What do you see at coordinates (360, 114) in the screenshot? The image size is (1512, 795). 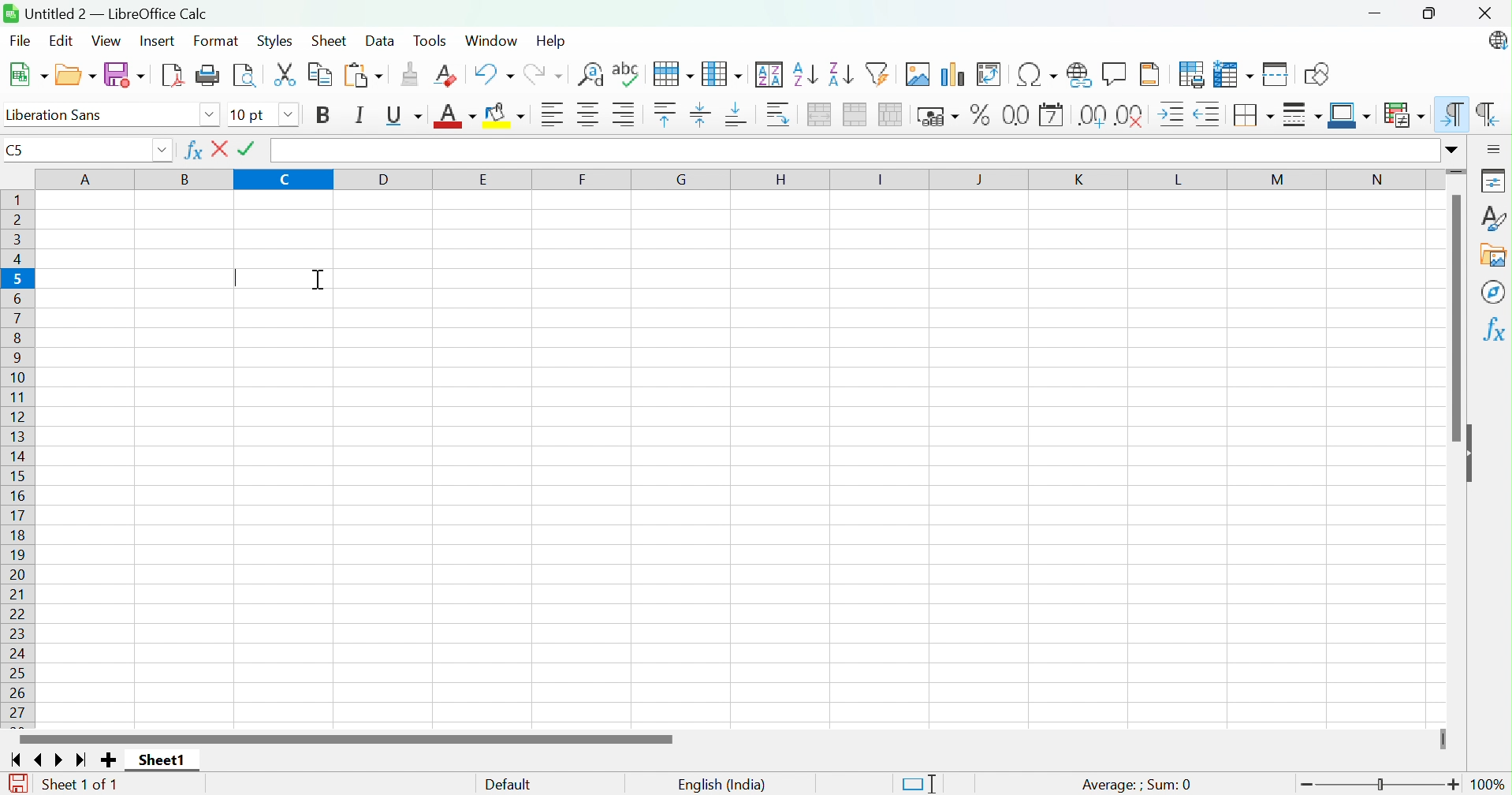 I see `Italic` at bounding box center [360, 114].